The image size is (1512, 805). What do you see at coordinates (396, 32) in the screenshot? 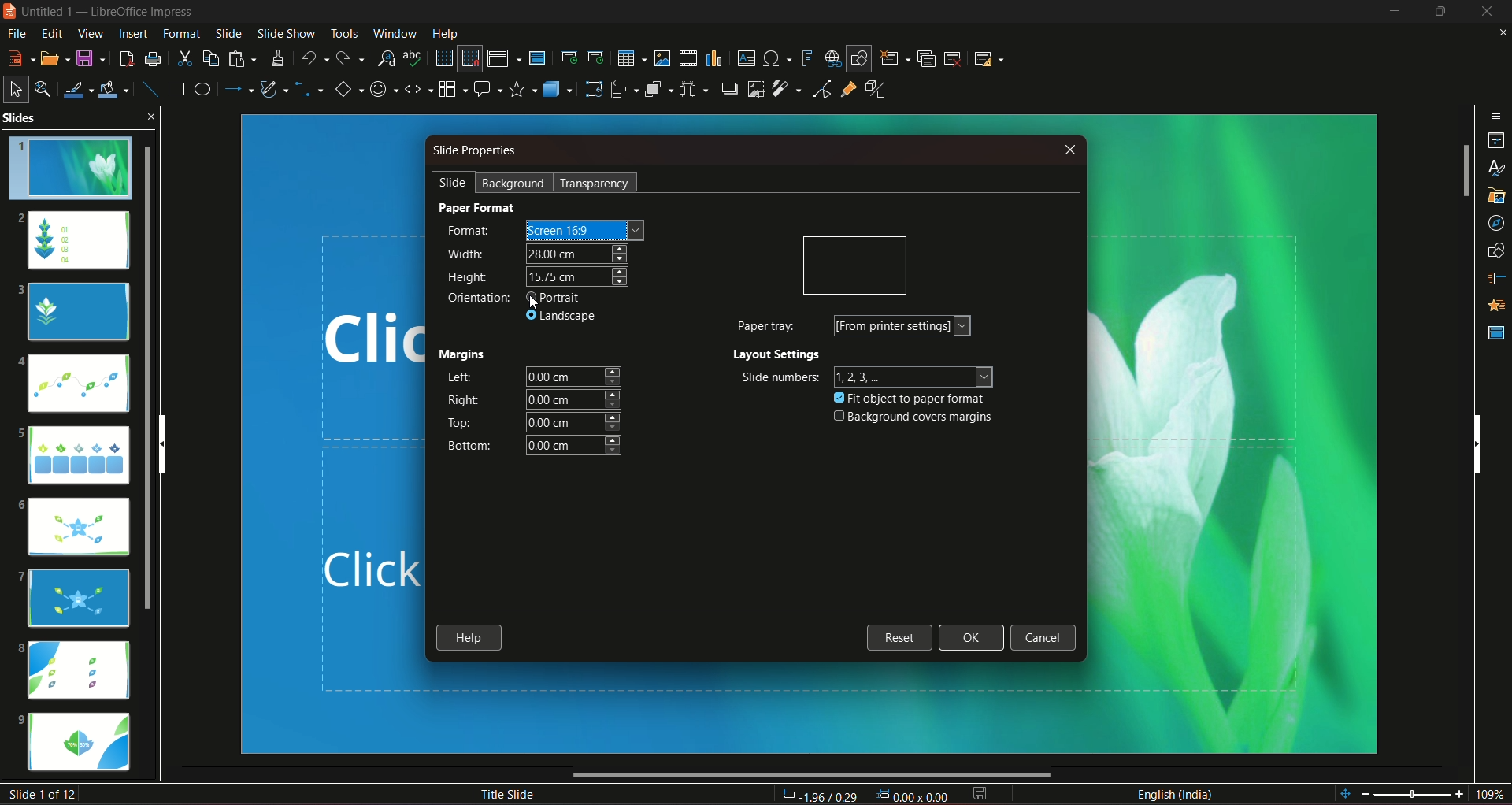
I see `window` at bounding box center [396, 32].